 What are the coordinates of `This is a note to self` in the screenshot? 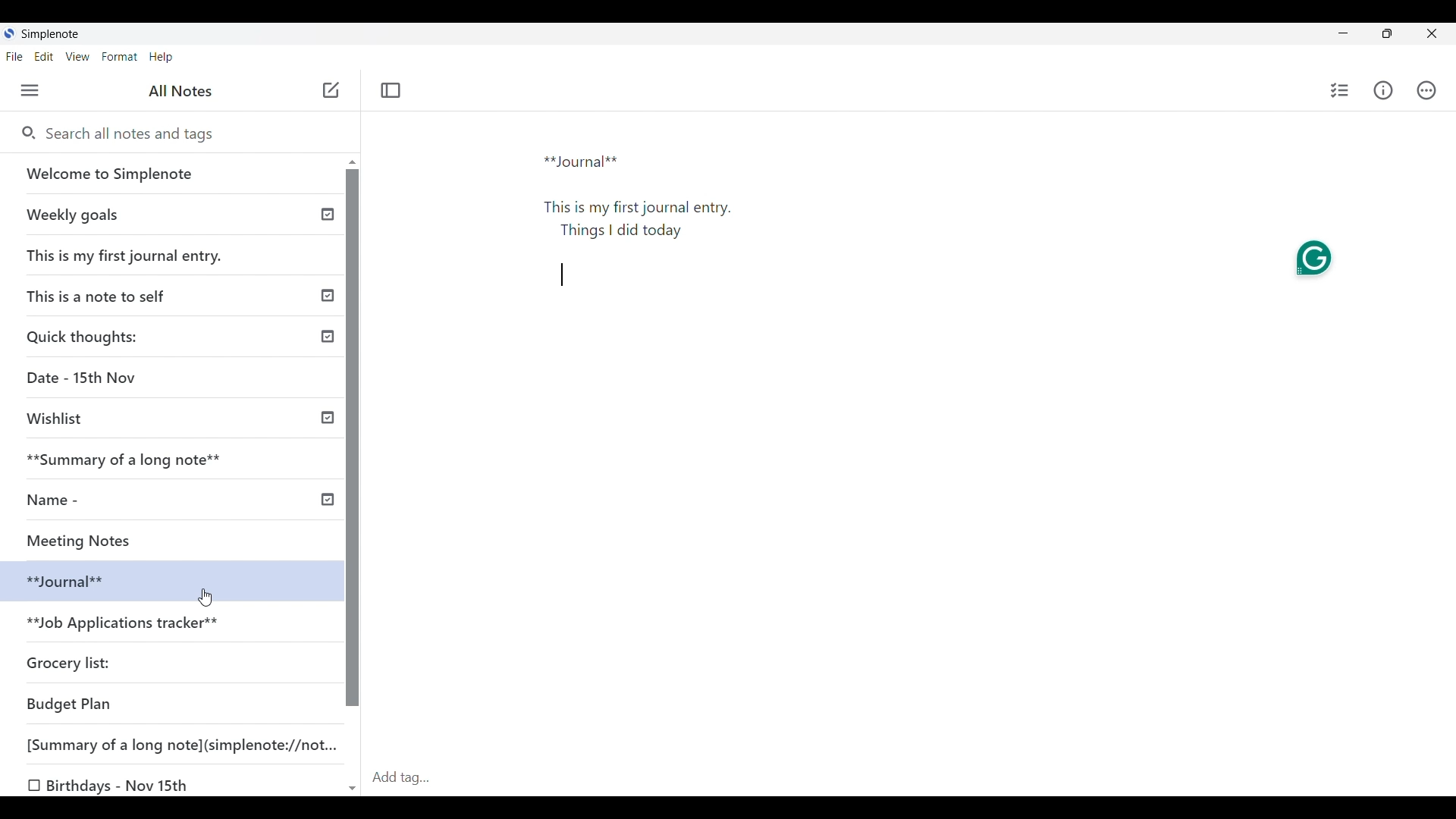 It's located at (102, 295).